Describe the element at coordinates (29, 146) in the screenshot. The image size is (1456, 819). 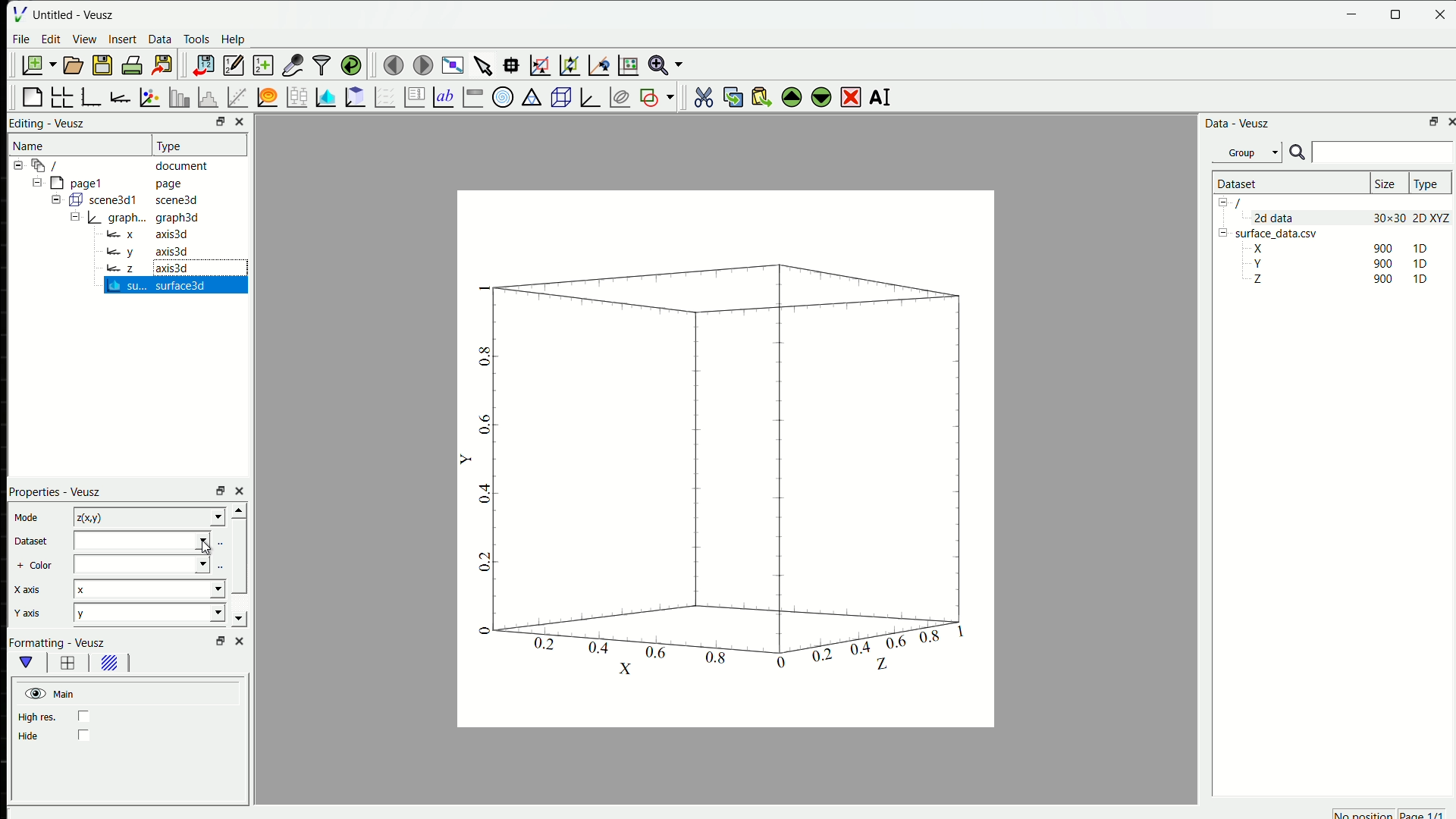
I see `Name` at that location.